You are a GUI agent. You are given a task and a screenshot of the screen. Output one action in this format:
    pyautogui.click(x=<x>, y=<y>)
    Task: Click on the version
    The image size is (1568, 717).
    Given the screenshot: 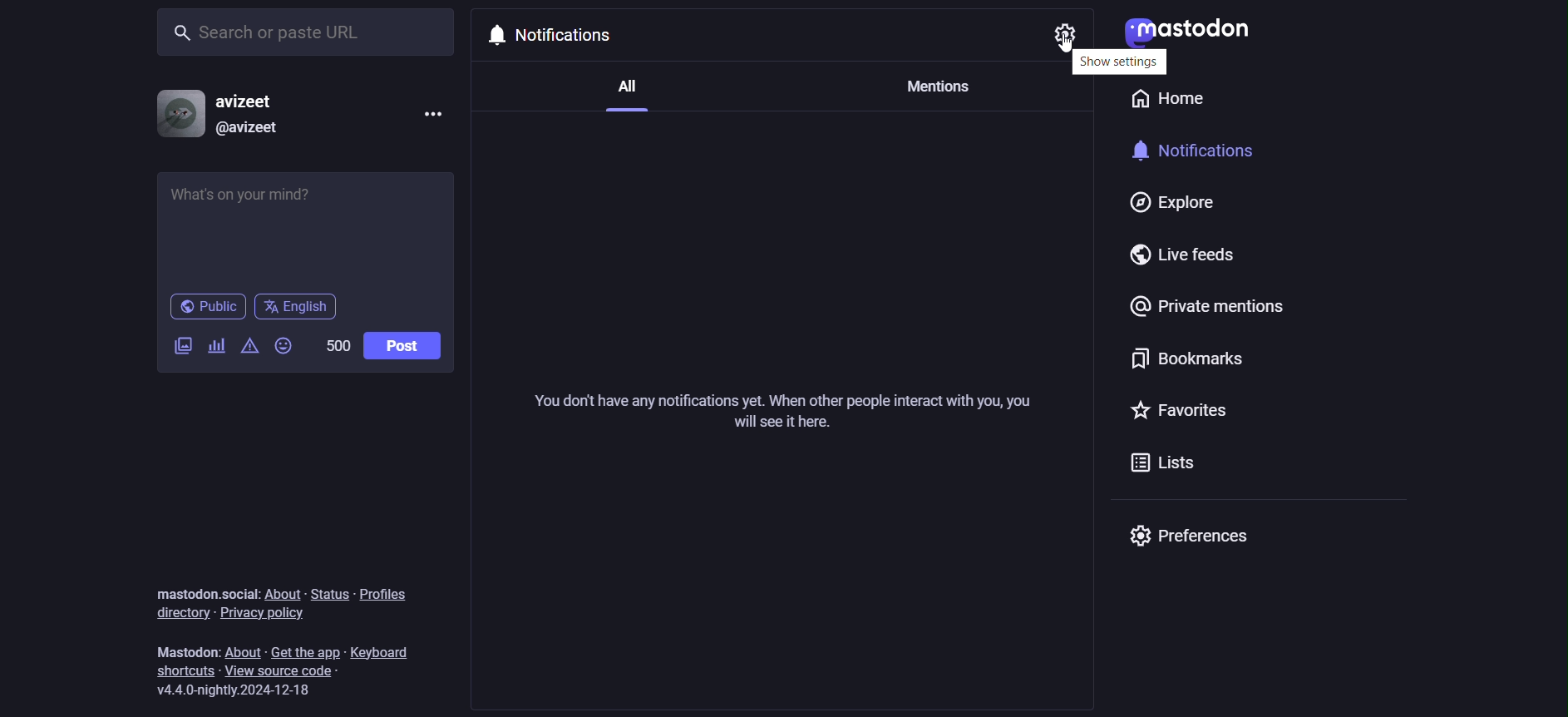 What is the action you would take?
    pyautogui.click(x=235, y=690)
    